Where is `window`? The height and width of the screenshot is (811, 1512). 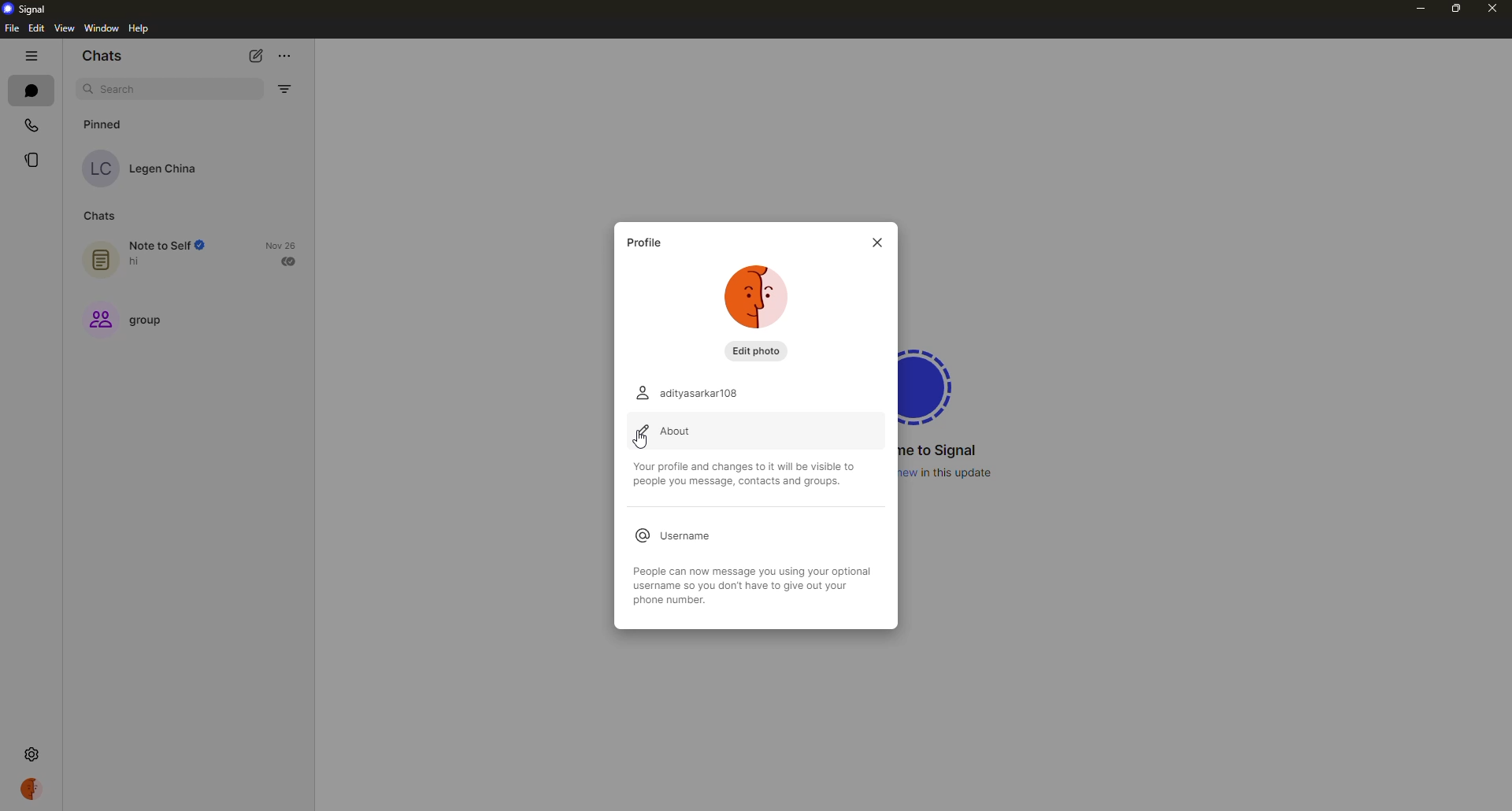
window is located at coordinates (102, 28).